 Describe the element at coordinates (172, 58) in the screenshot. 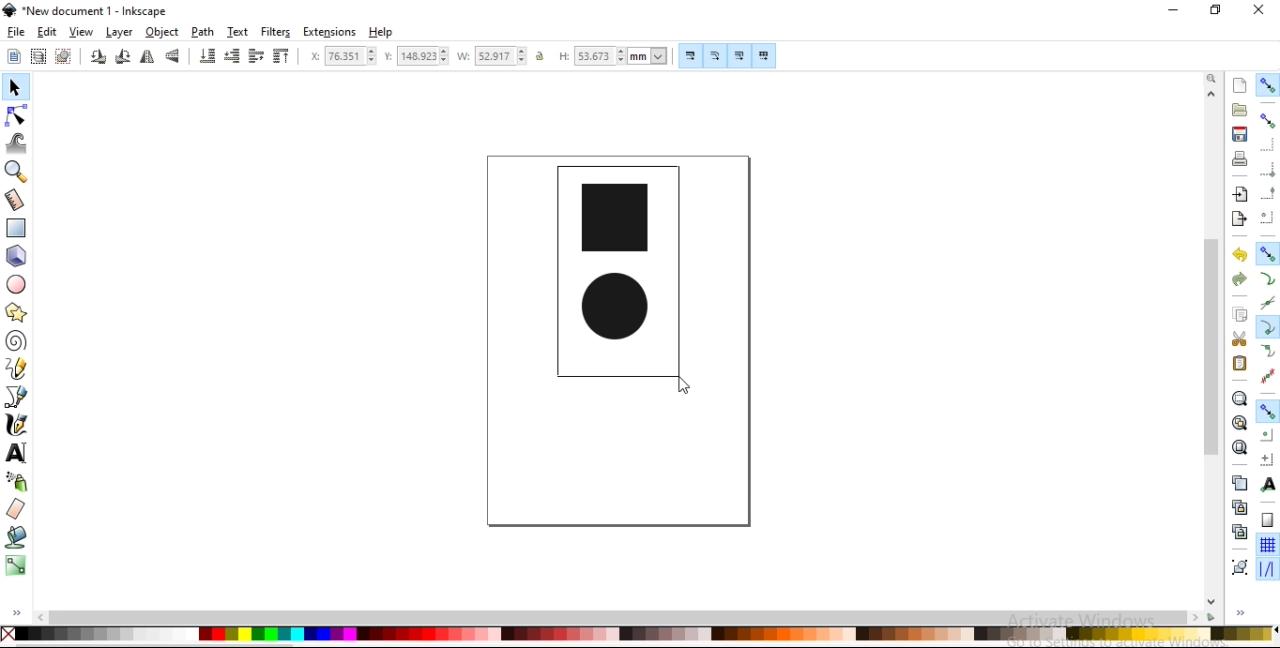

I see `flip vertical` at that location.